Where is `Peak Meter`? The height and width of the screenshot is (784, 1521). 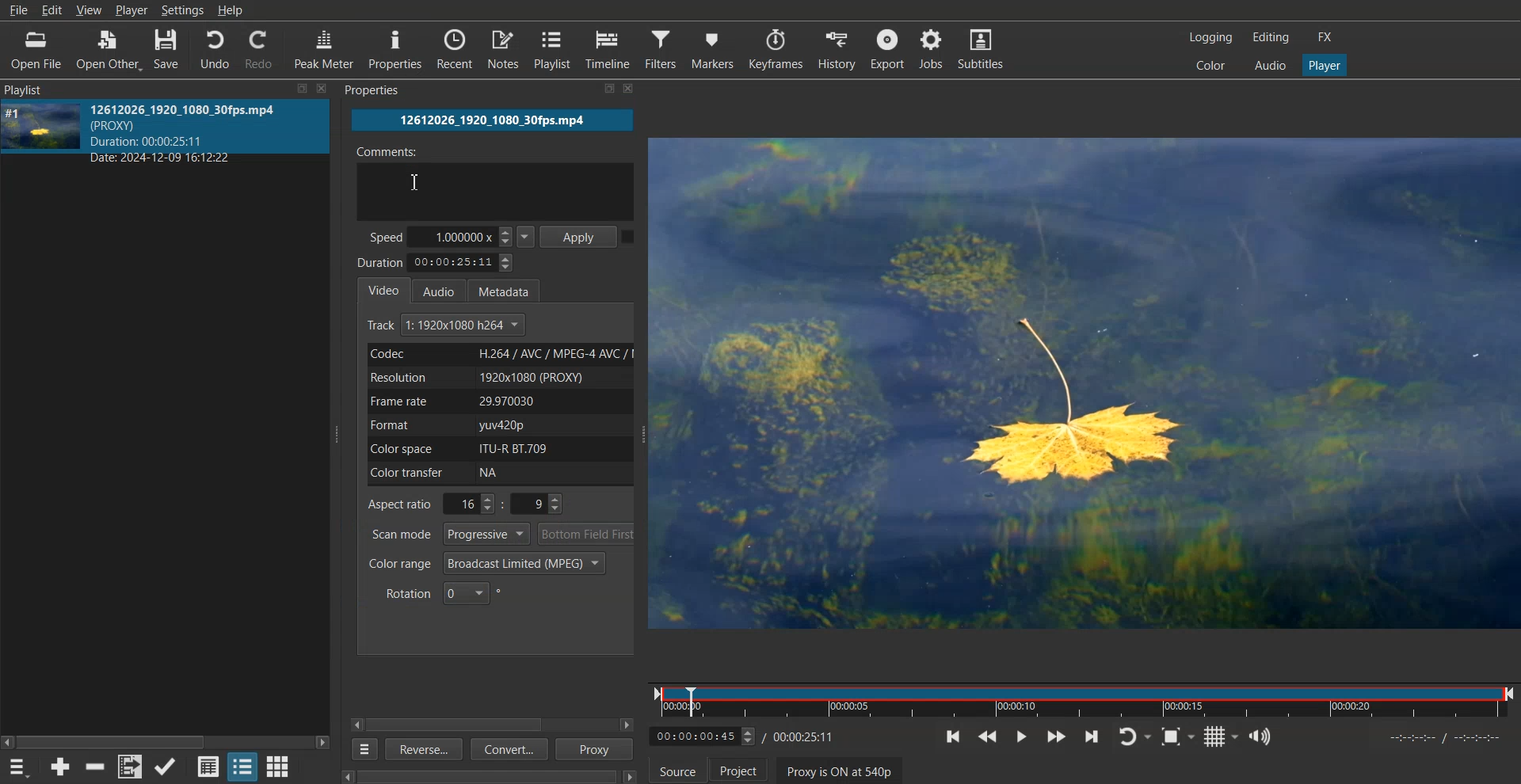 Peak Meter is located at coordinates (325, 48).